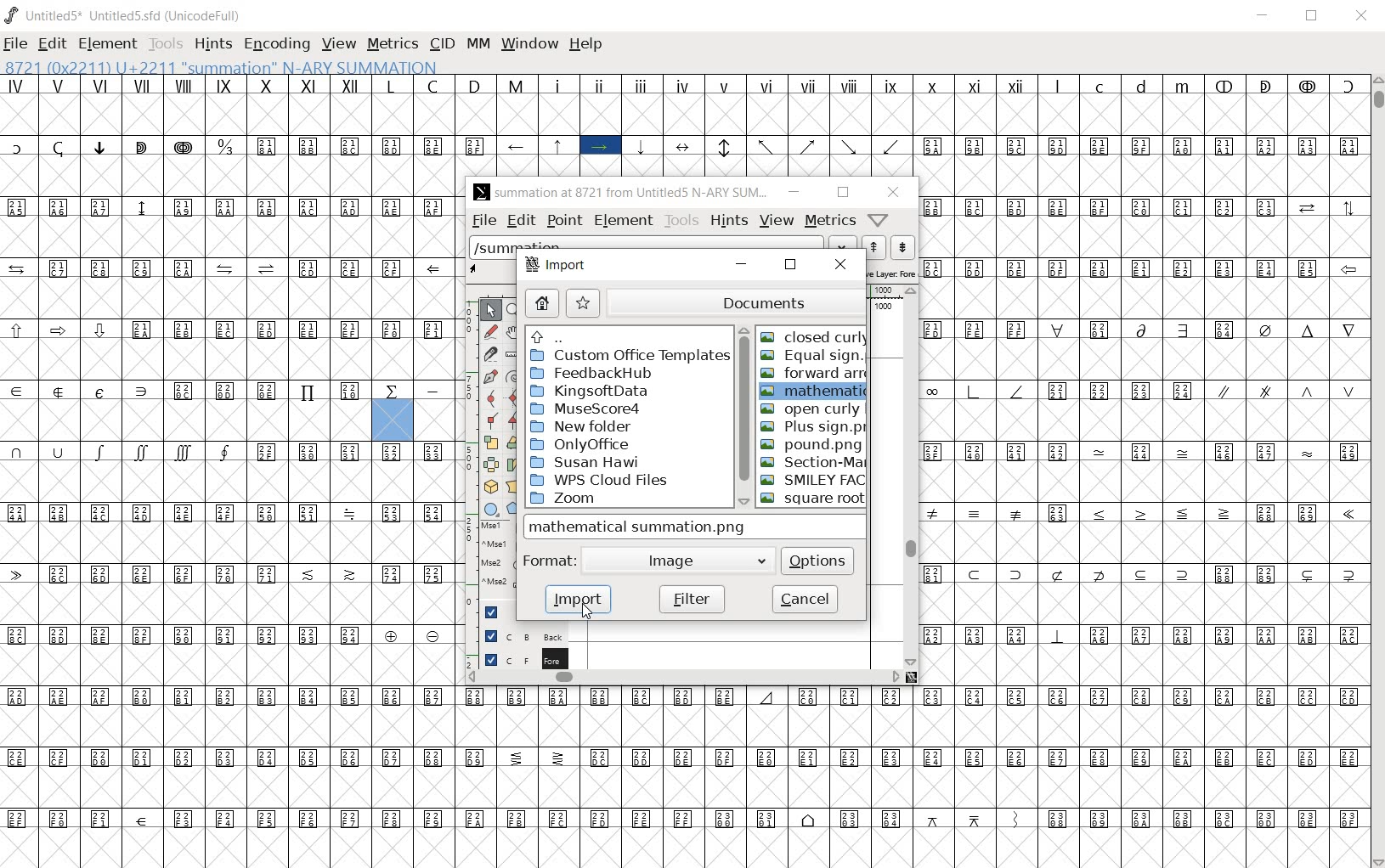 The height and width of the screenshot is (868, 1385). What do you see at coordinates (589, 46) in the screenshot?
I see `HELP` at bounding box center [589, 46].